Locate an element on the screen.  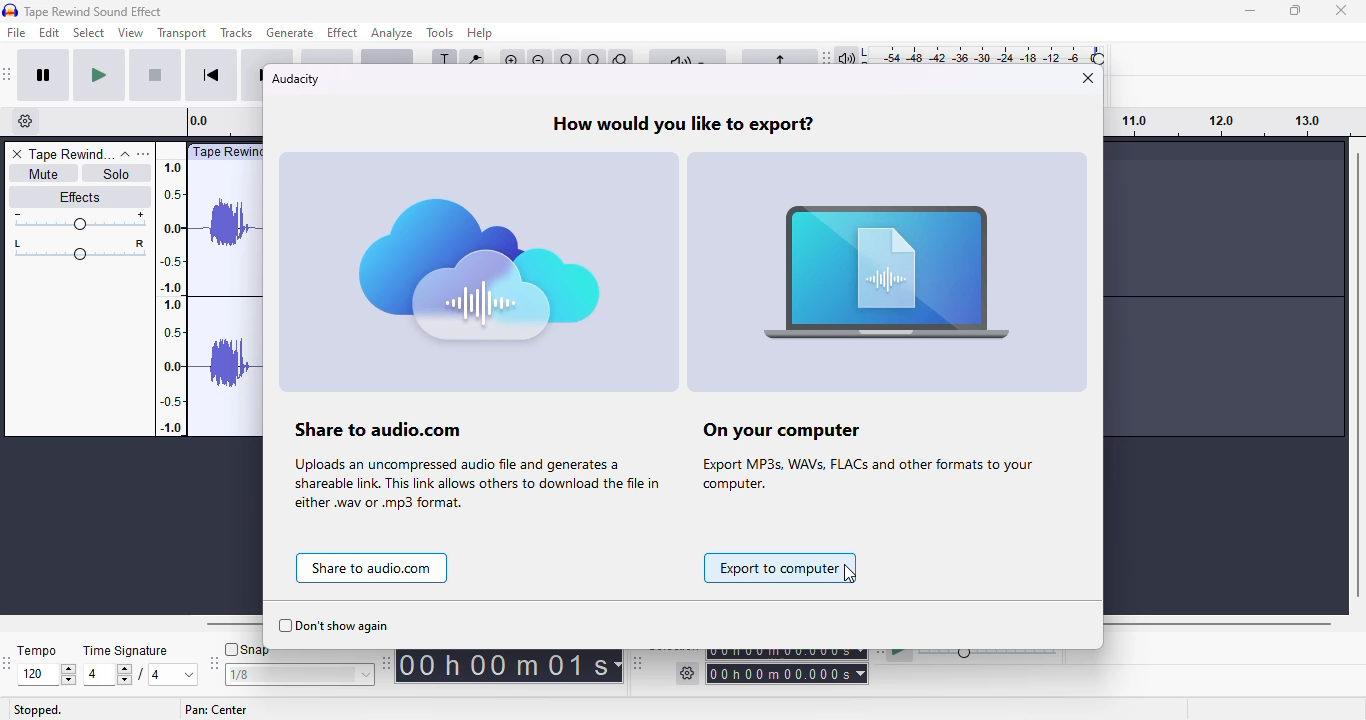
timestamps is located at coordinates (170, 296).